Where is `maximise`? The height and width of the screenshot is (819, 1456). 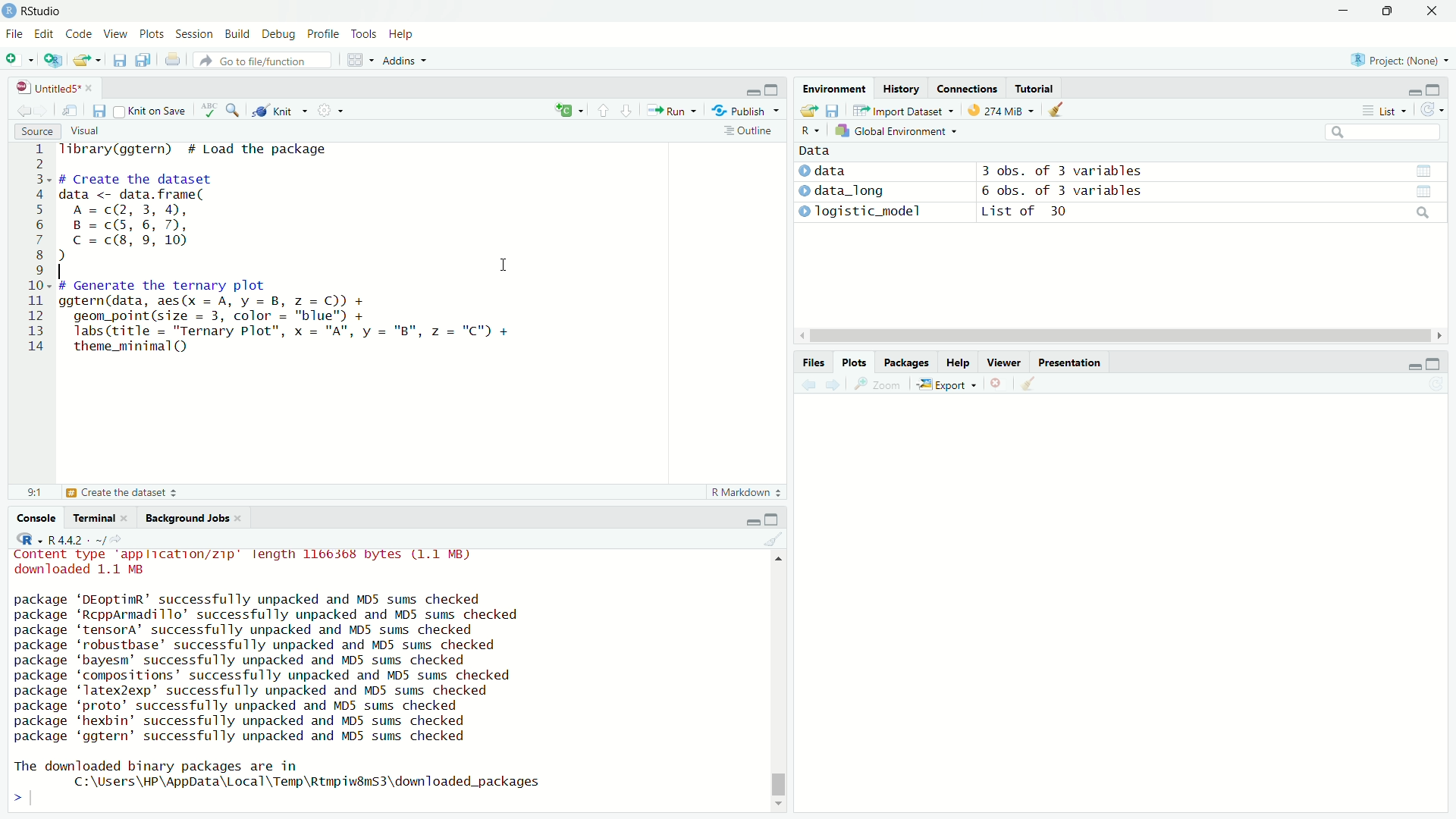 maximise is located at coordinates (1435, 89).